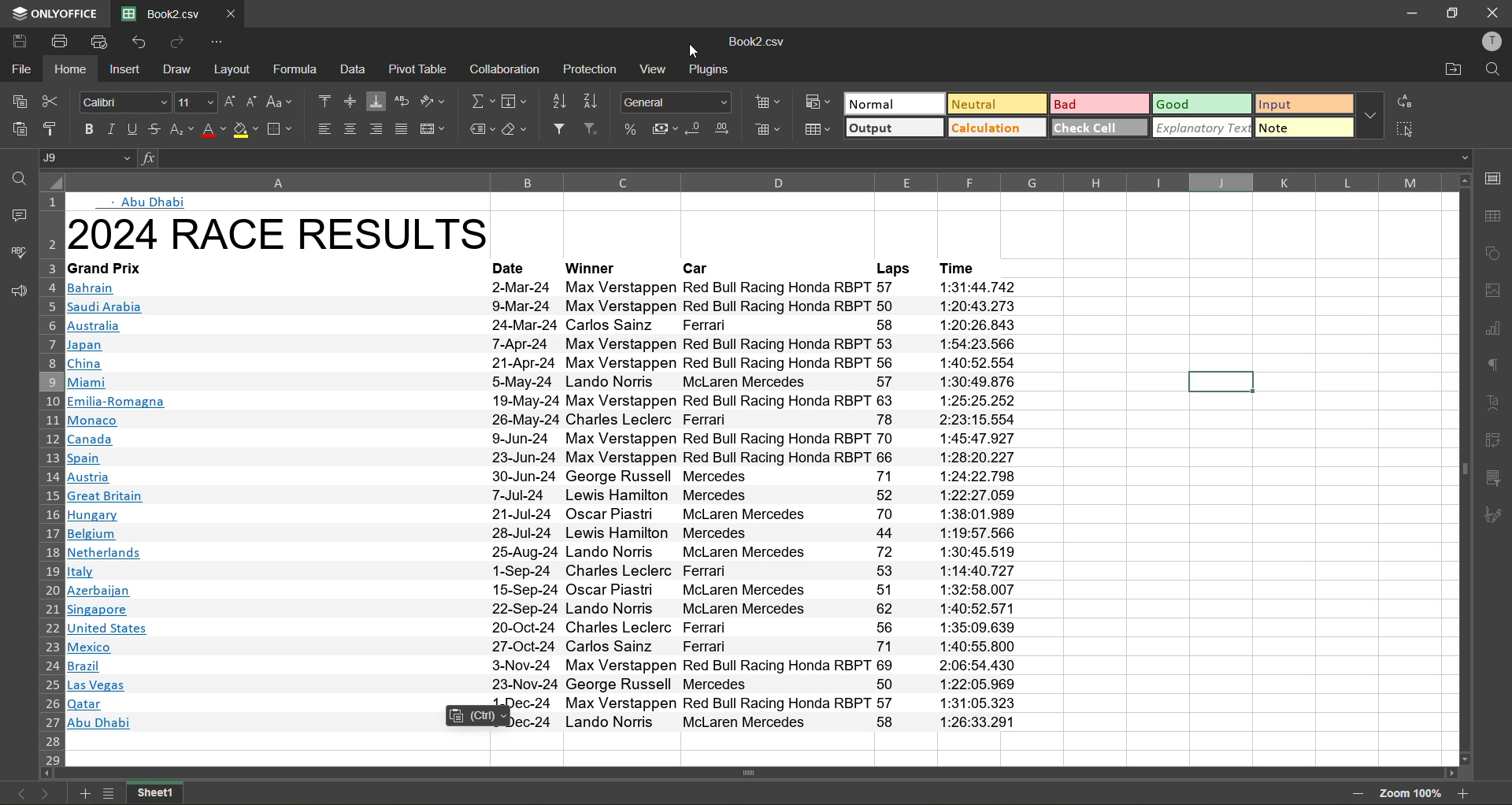 This screenshot has height=805, width=1512. Describe the element at coordinates (1303, 127) in the screenshot. I see `note` at that location.